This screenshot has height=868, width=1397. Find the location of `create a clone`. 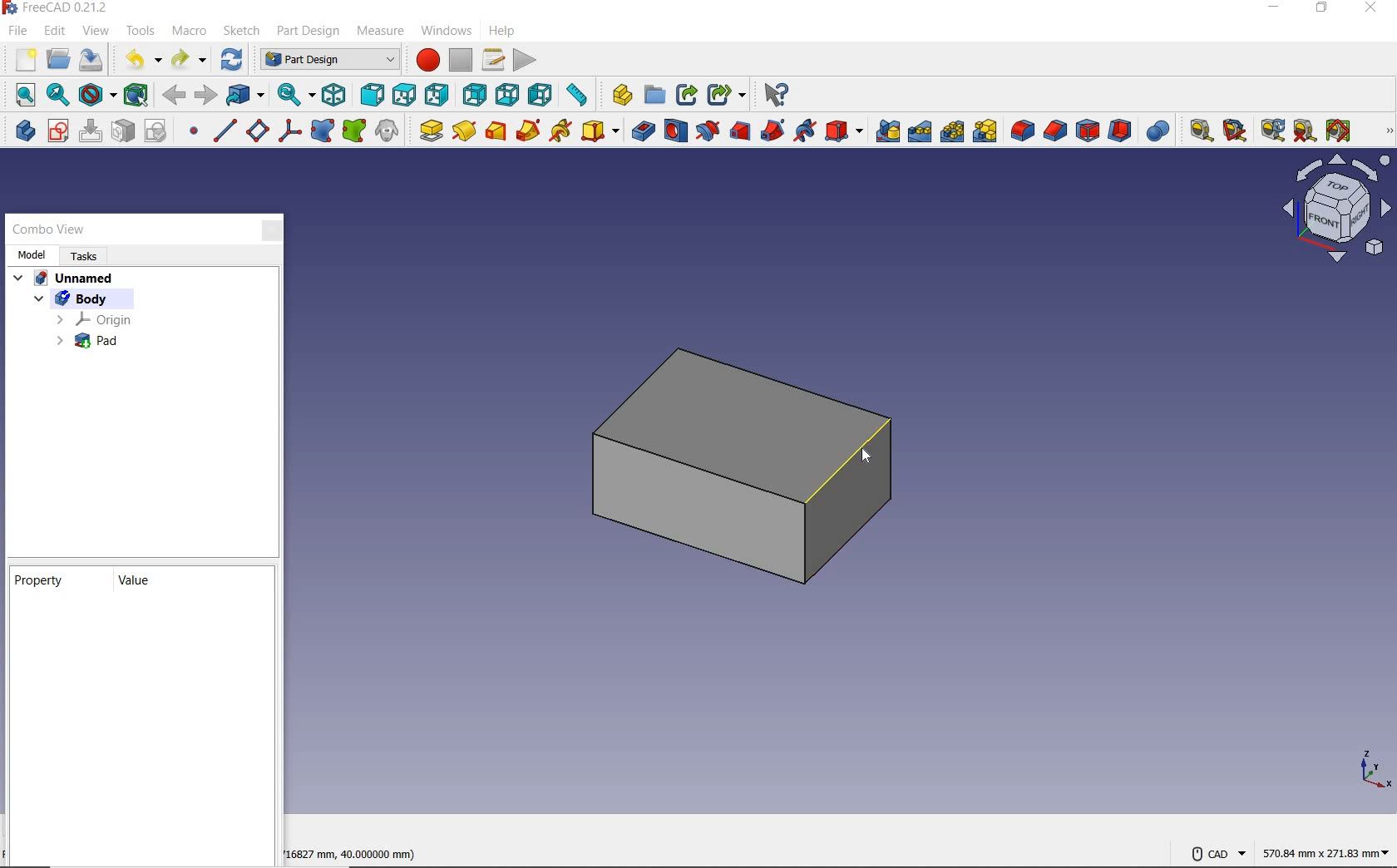

create a clone is located at coordinates (390, 131).